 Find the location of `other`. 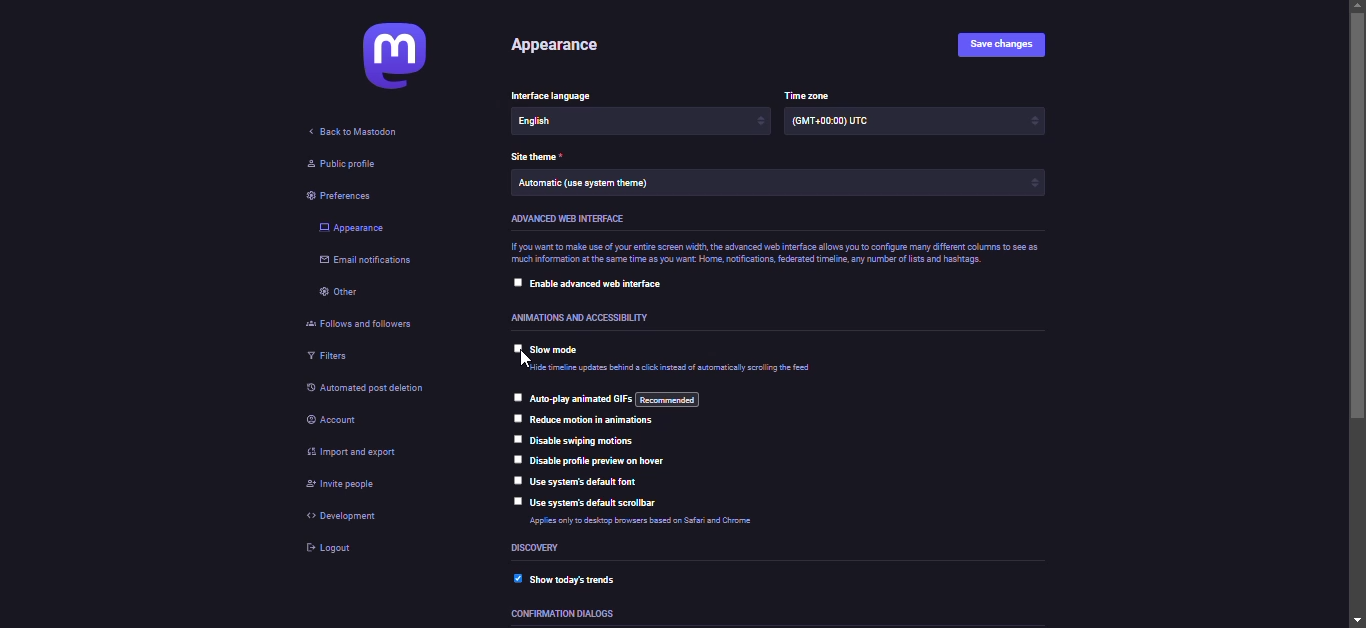

other is located at coordinates (343, 295).